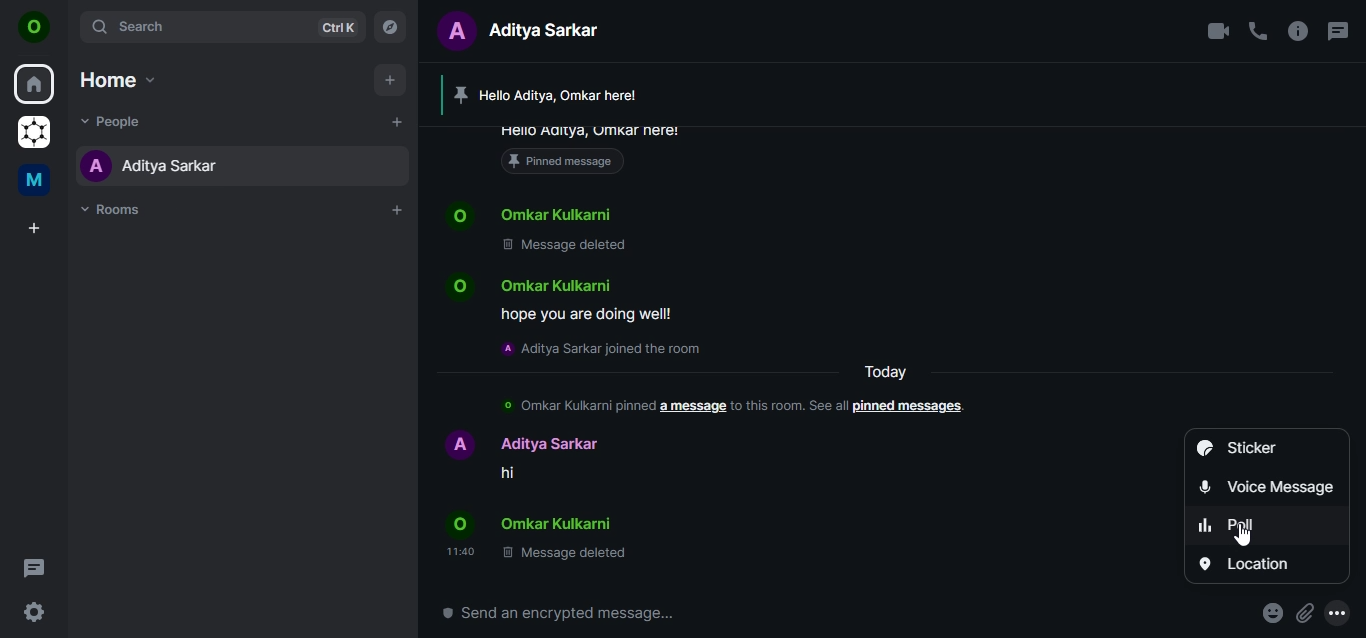 The image size is (1366, 638). What do you see at coordinates (788, 406) in the screenshot?
I see `to this room.see all` at bounding box center [788, 406].